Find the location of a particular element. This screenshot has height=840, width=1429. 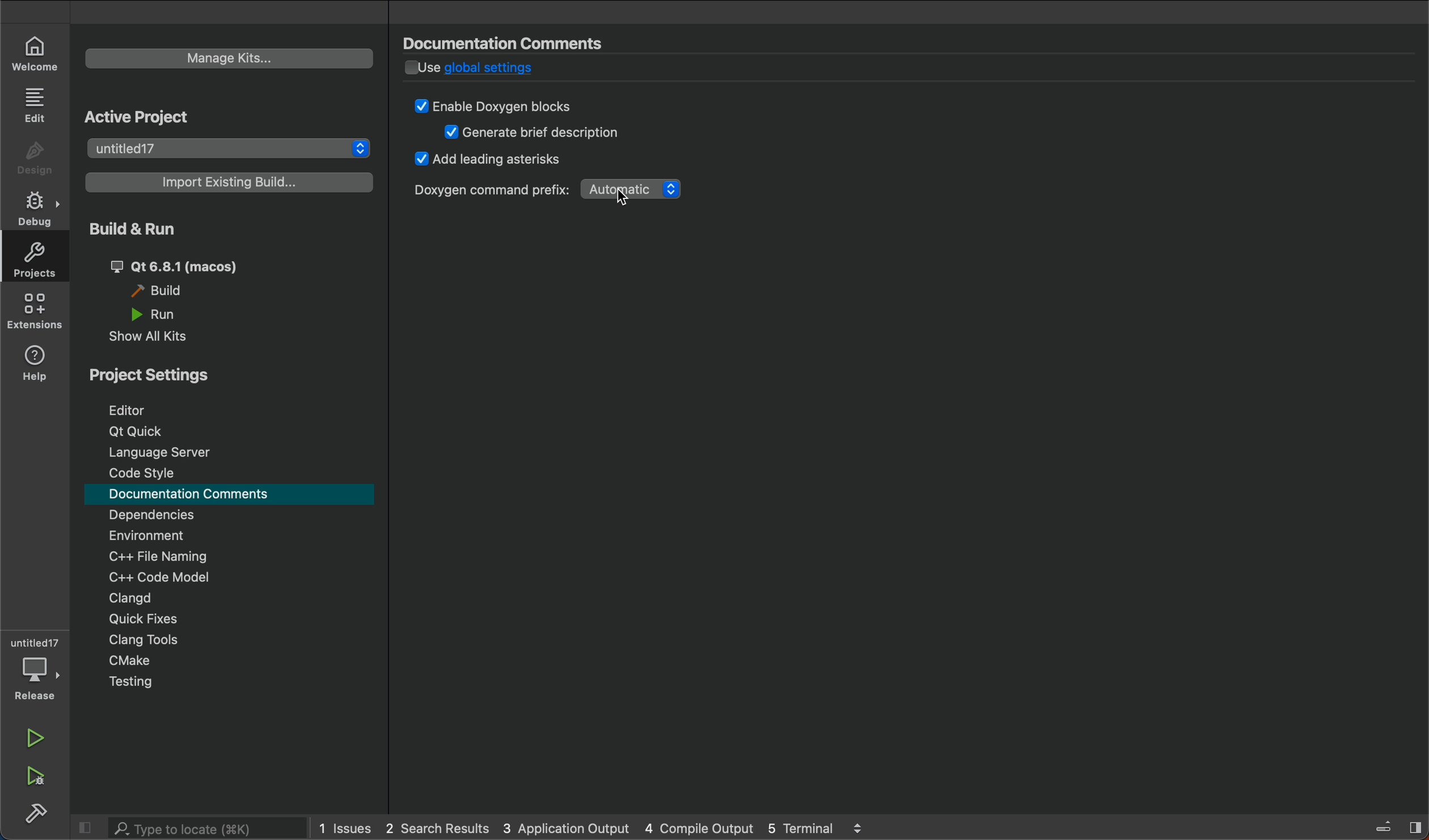

run and build is located at coordinates (39, 776).